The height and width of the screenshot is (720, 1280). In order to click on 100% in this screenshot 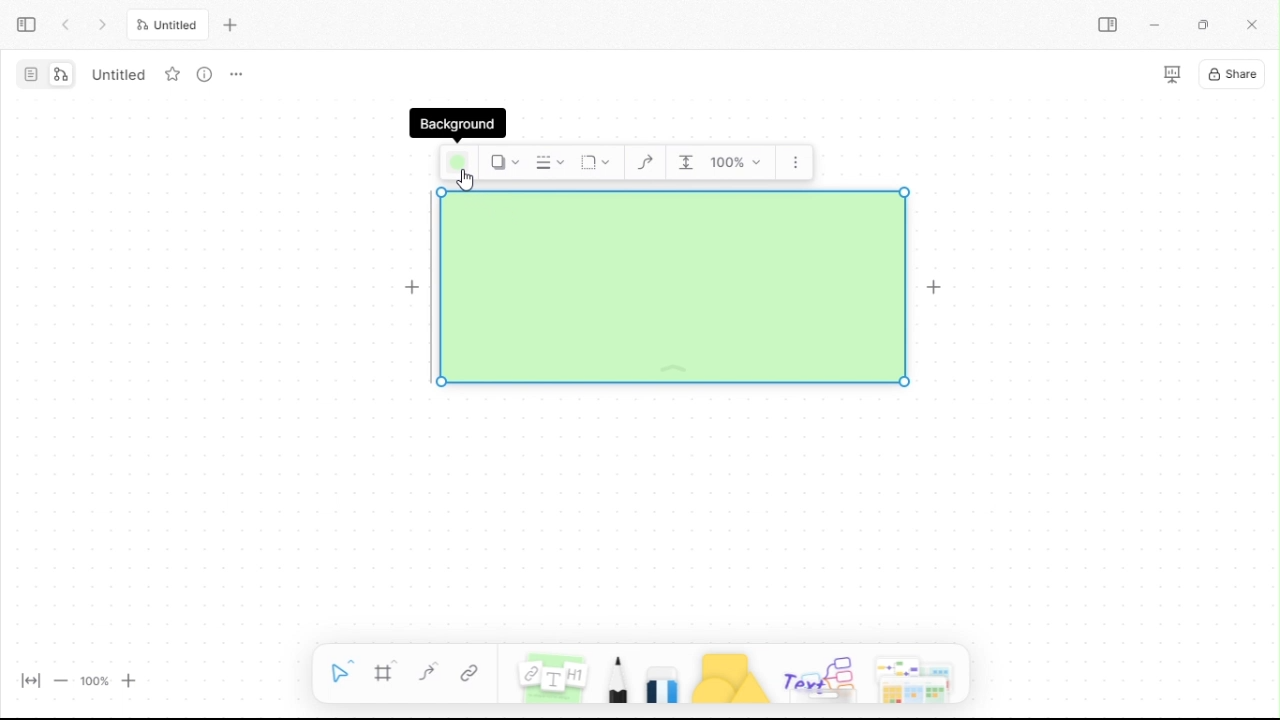, I will do `click(93, 681)`.